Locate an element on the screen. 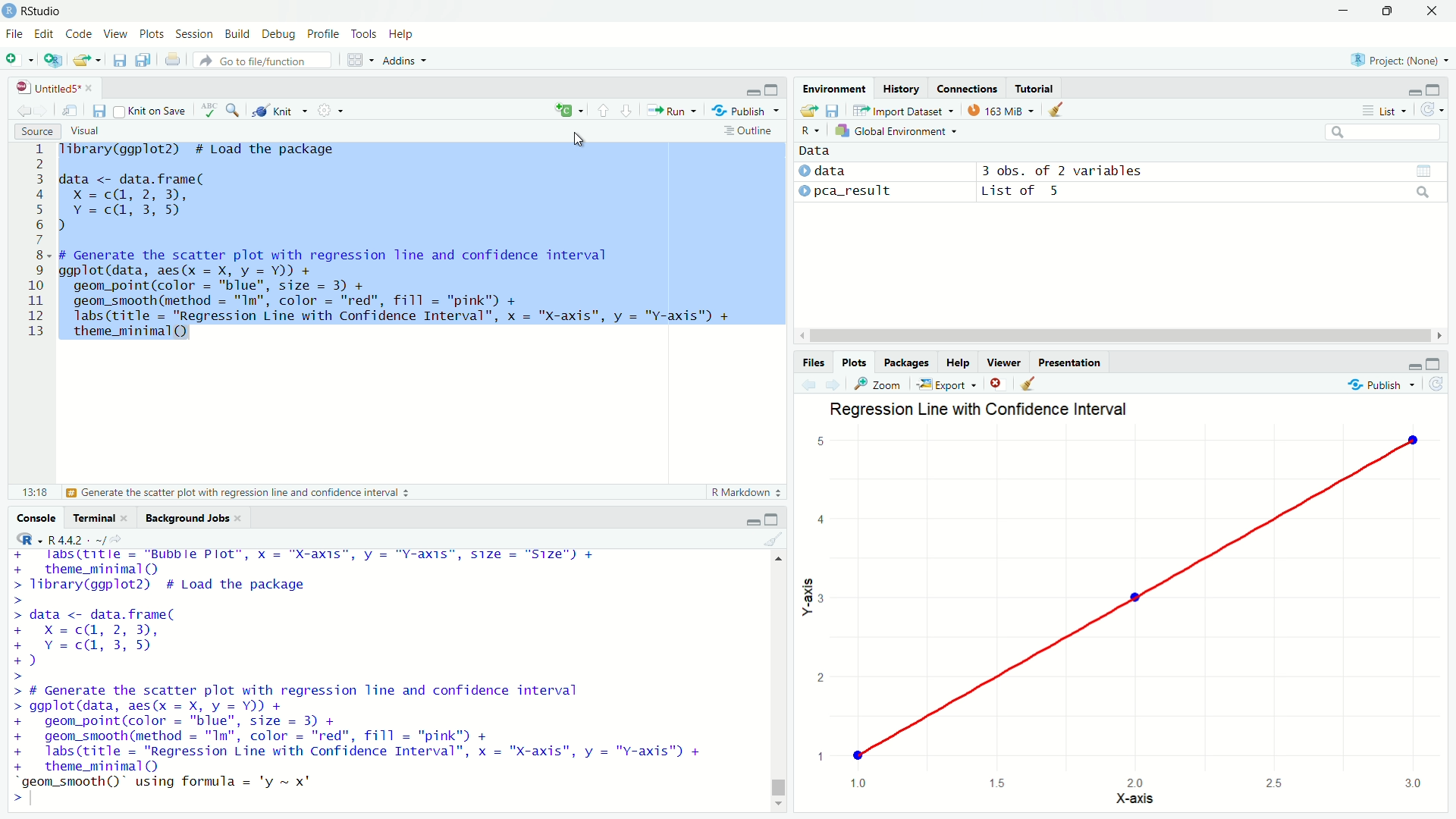 The width and height of the screenshot is (1456, 819). Refresh the list of objects in the environment is located at coordinates (1431, 110).